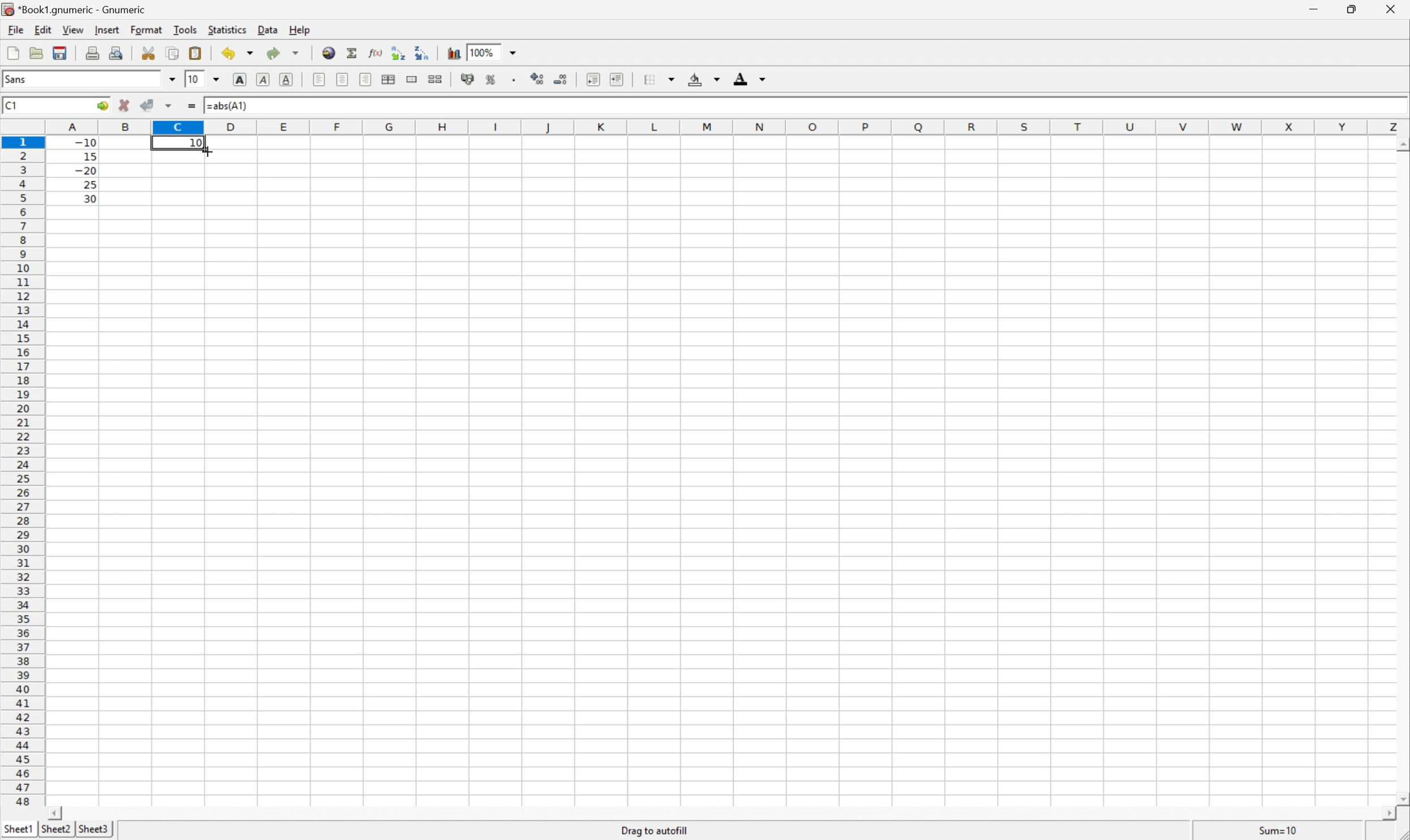 The height and width of the screenshot is (840, 1410). What do you see at coordinates (237, 78) in the screenshot?
I see `bold` at bounding box center [237, 78].